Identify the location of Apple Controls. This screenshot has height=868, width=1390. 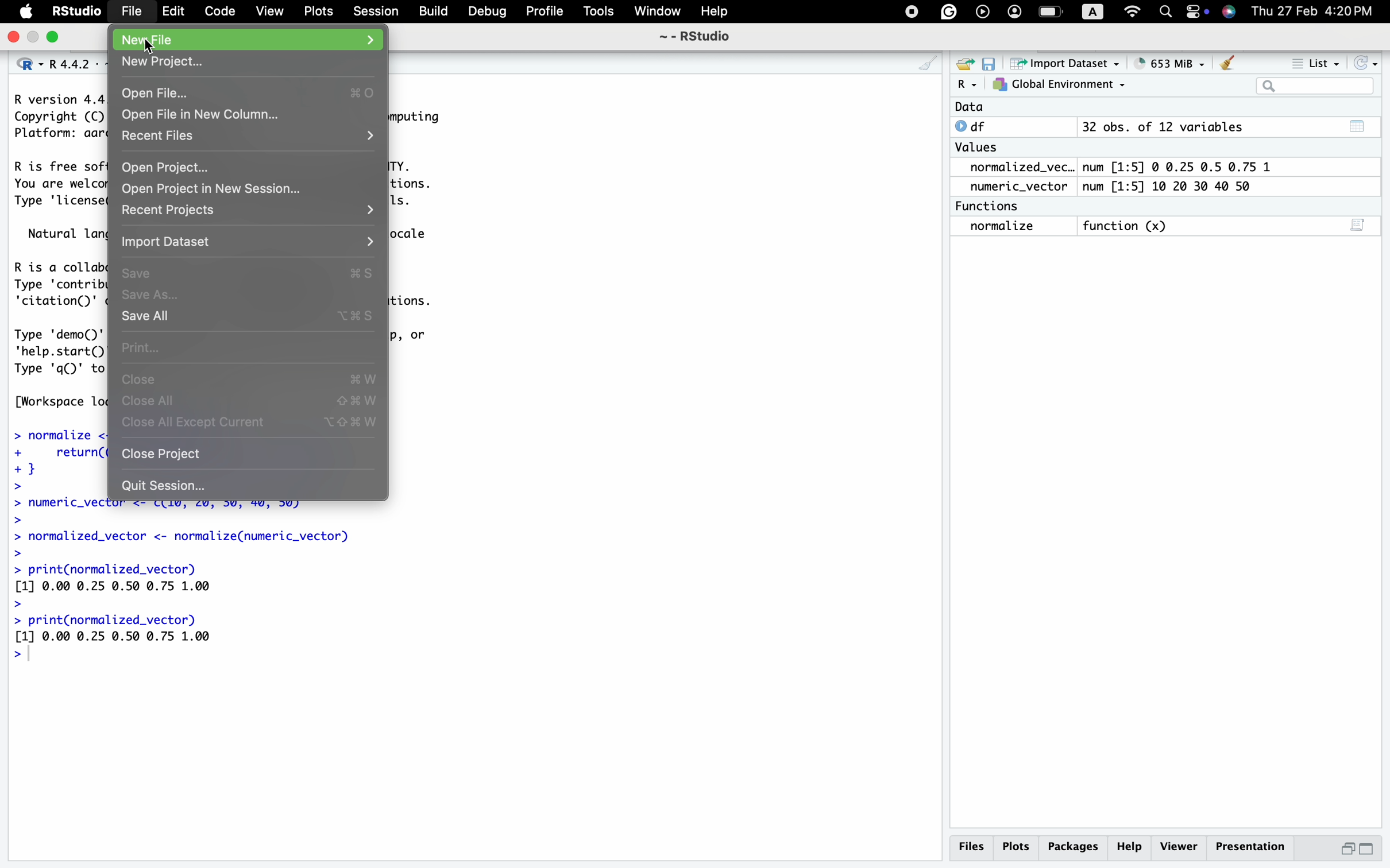
(1065, 13).